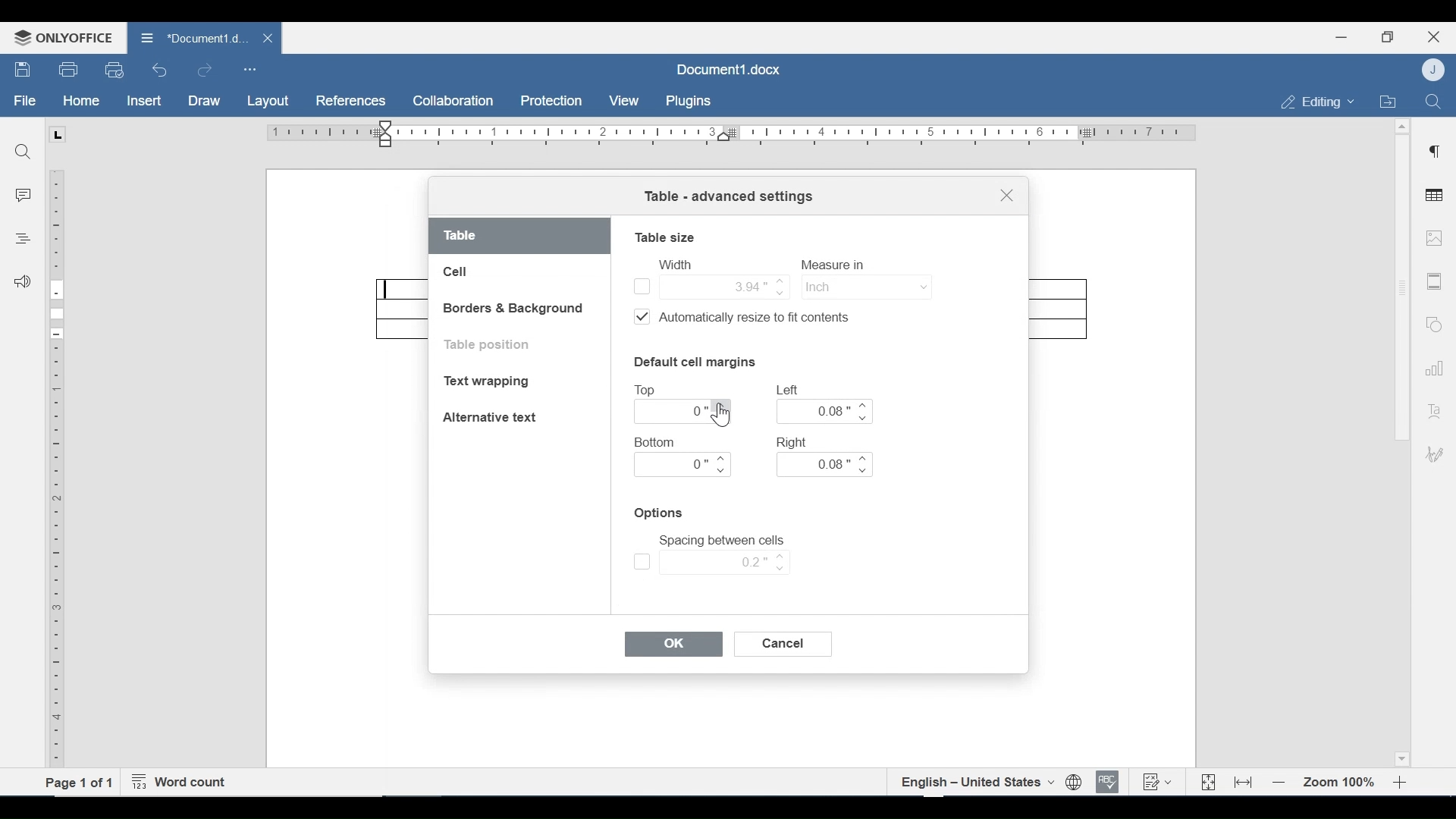 The image size is (1456, 819). I want to click on *Document1.docx, so click(193, 36).